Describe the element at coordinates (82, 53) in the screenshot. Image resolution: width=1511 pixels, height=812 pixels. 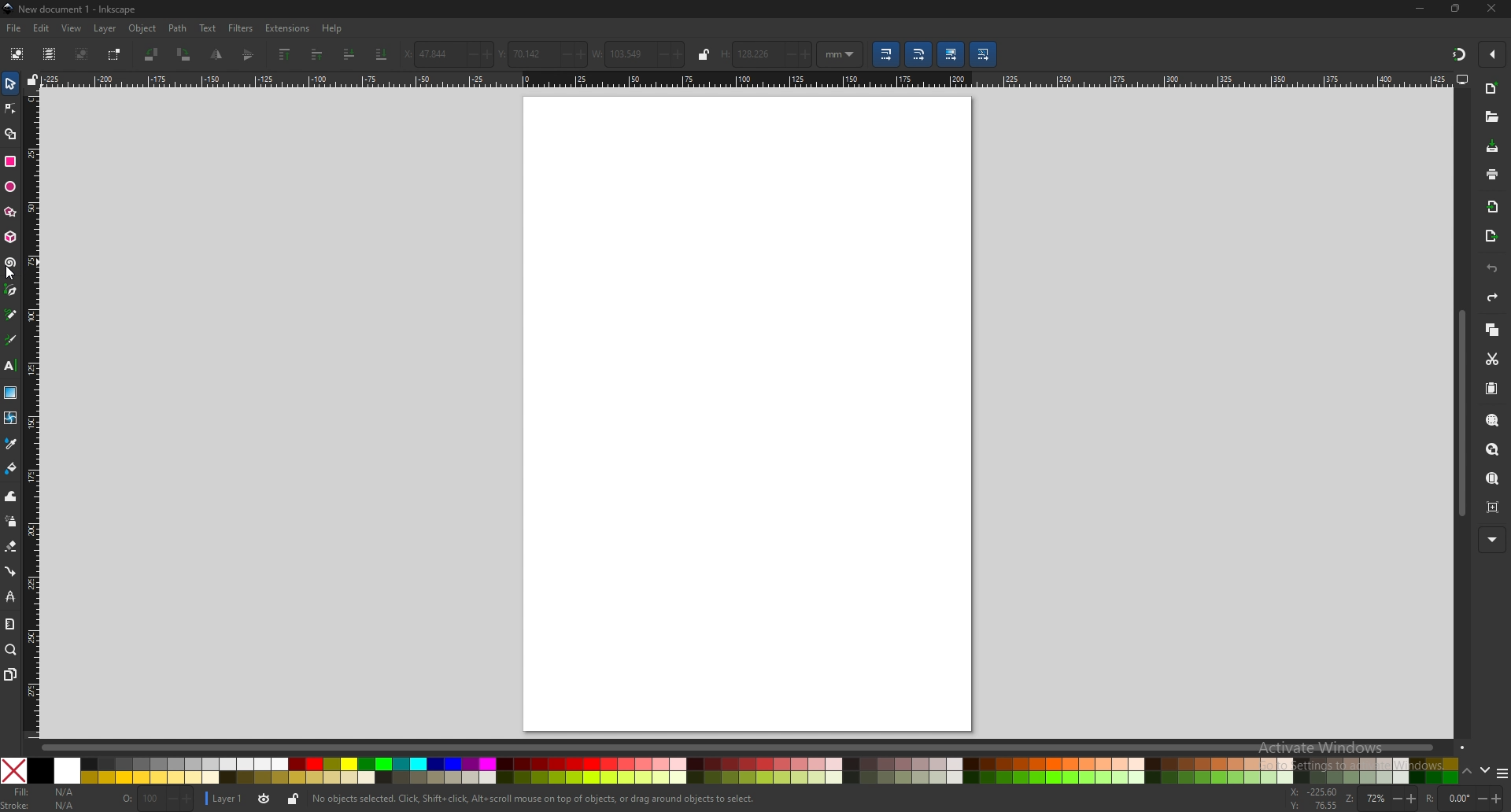
I see `deselect` at that location.